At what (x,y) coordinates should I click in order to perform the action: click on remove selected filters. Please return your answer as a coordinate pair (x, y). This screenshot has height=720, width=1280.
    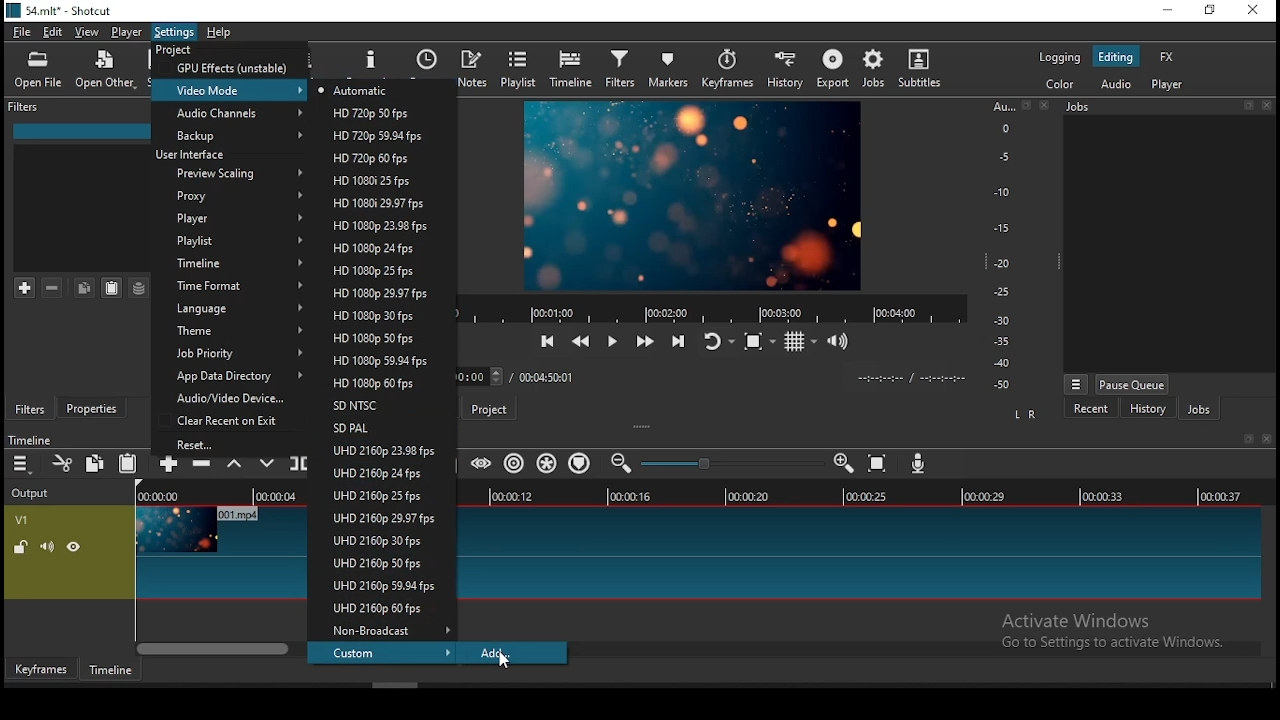
    Looking at the image, I should click on (53, 288).